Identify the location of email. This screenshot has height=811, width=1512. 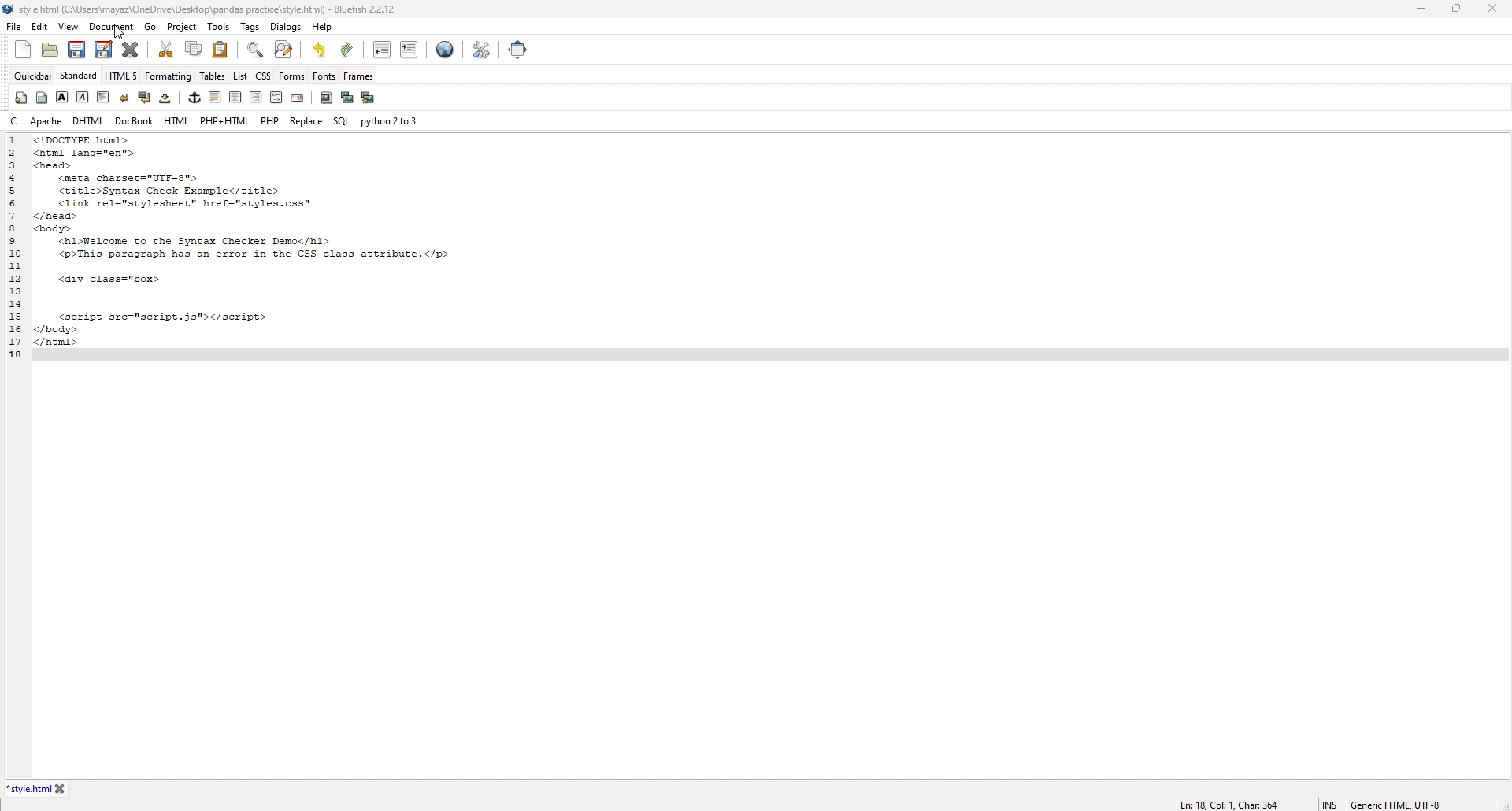
(298, 98).